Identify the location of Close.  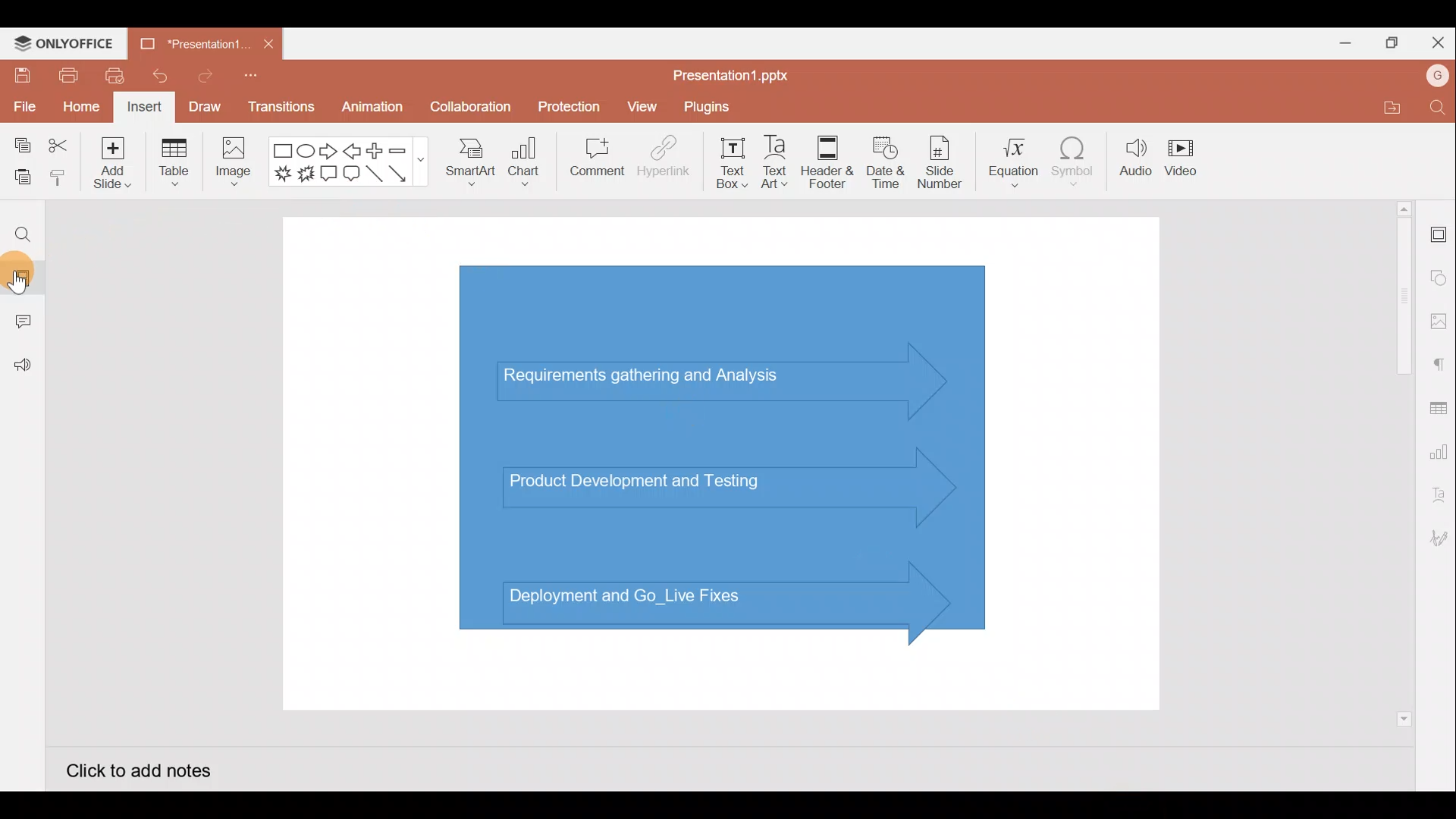
(1439, 40).